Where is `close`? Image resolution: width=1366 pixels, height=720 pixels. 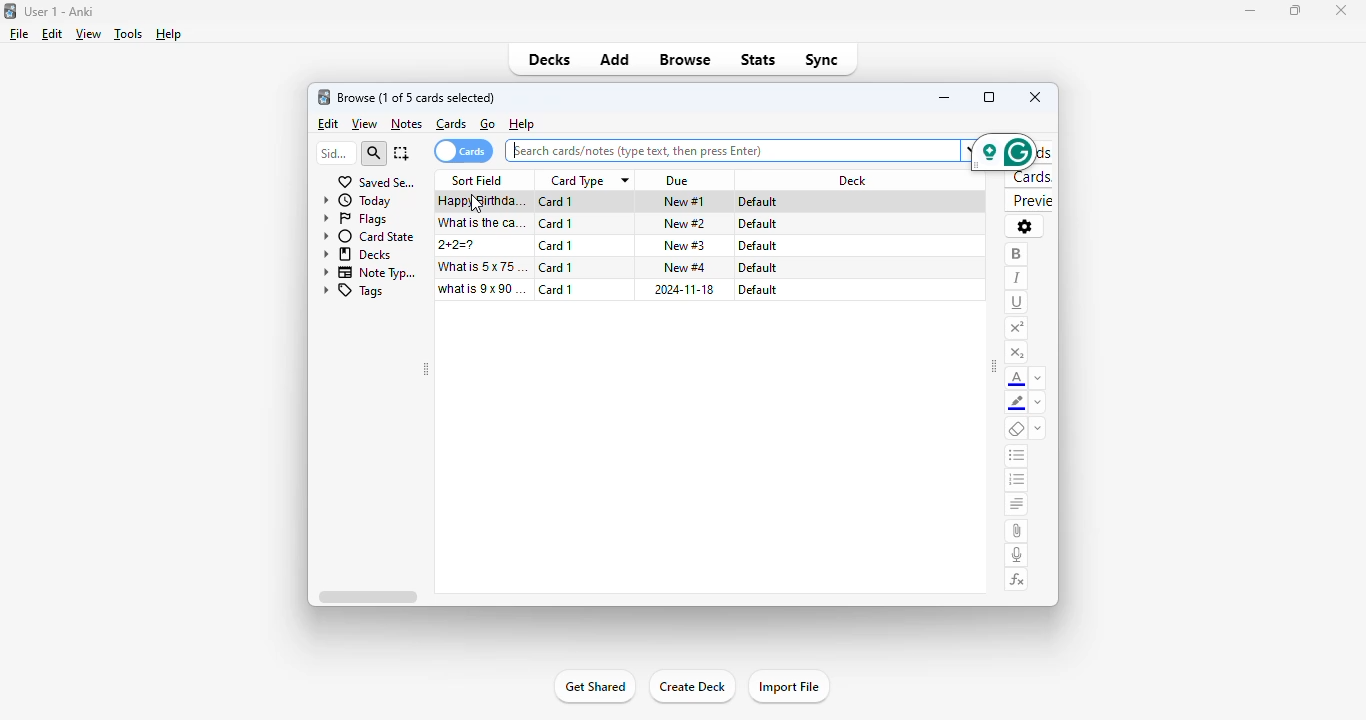
close is located at coordinates (1036, 96).